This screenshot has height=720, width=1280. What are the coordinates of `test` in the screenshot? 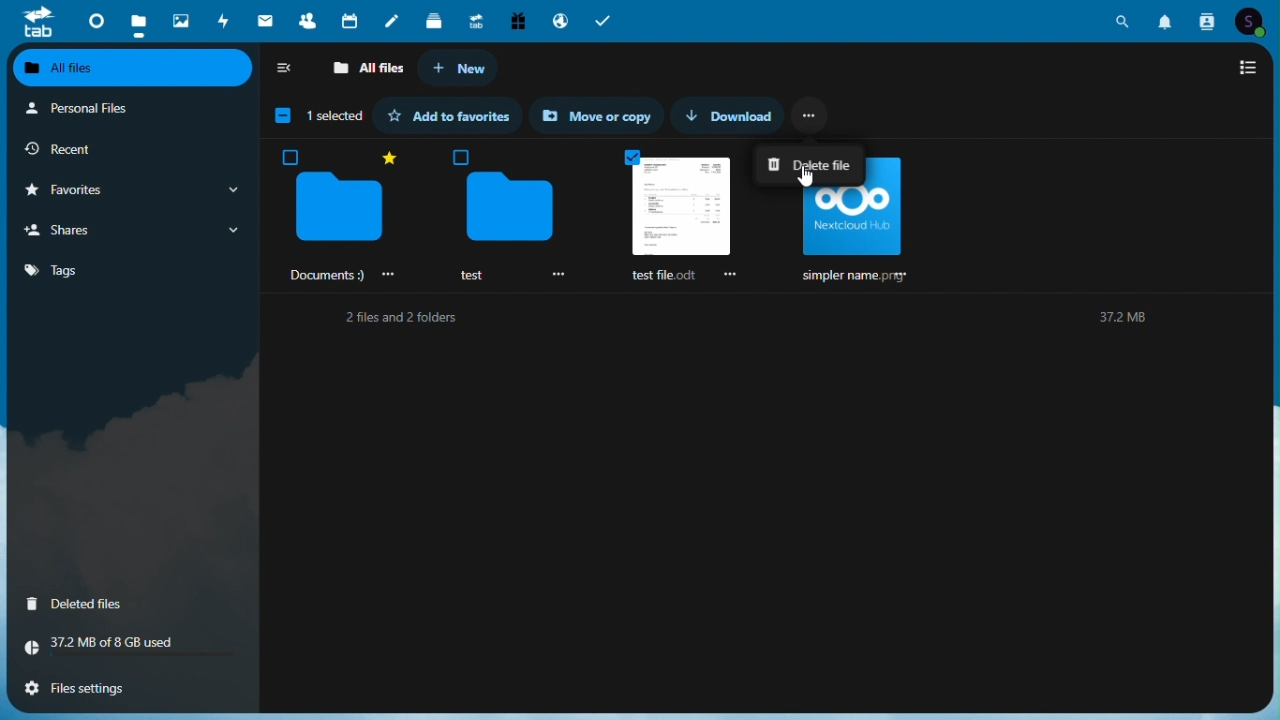 It's located at (507, 214).